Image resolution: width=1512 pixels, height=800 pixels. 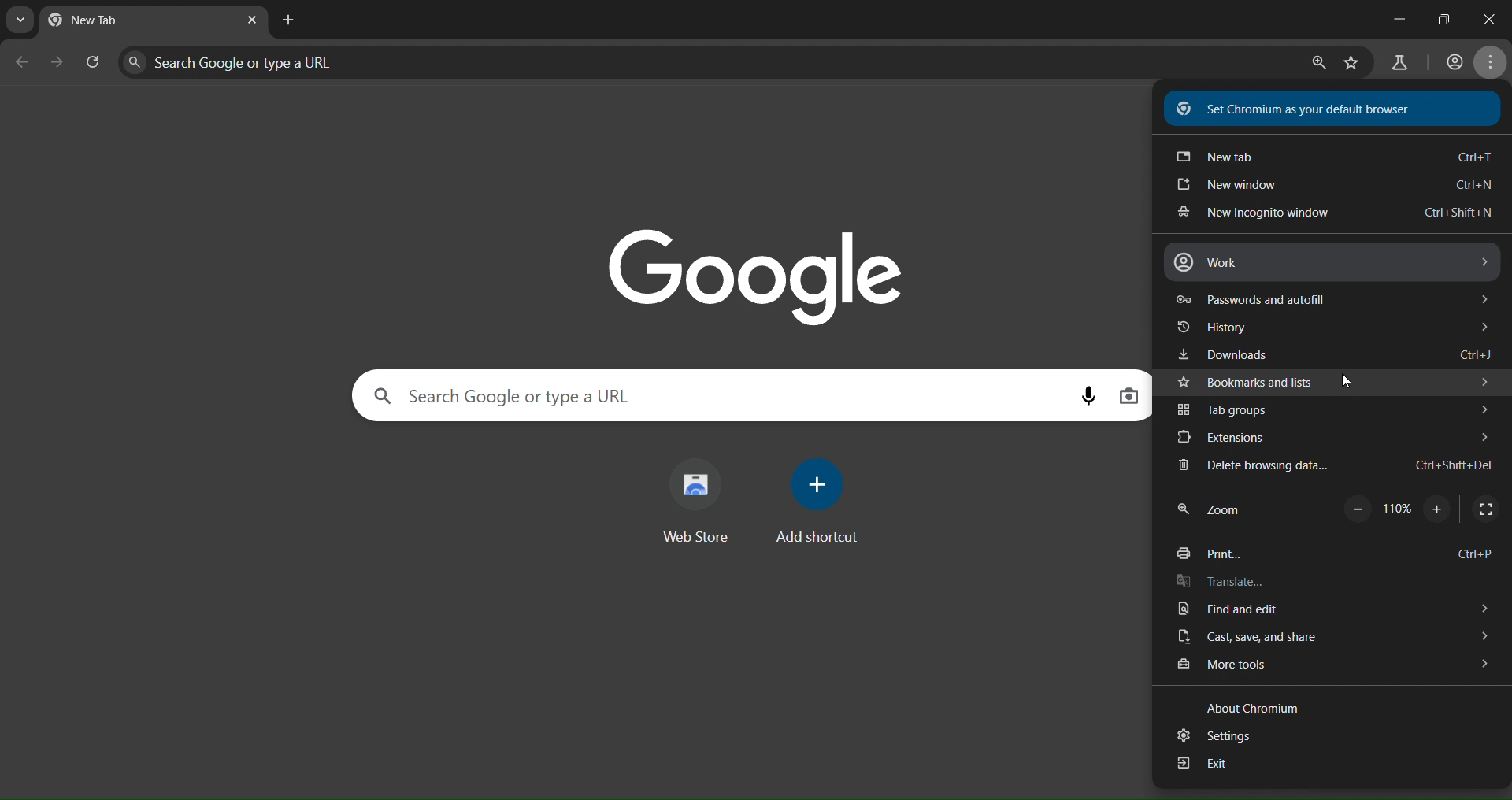 I want to click on search tabs, so click(x=22, y=22).